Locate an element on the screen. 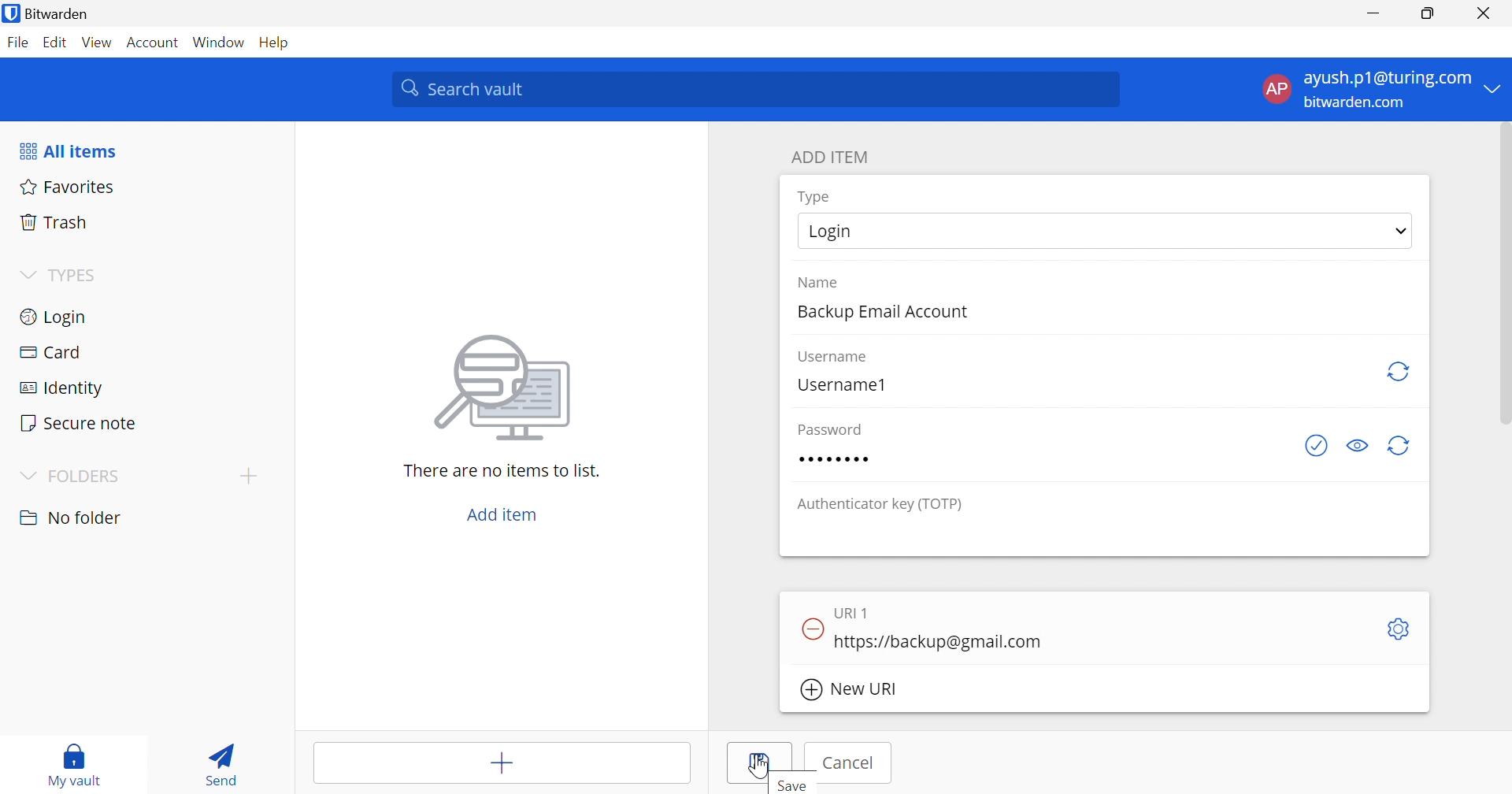 Image resolution: width=1512 pixels, height=794 pixels. Name is located at coordinates (818, 283).